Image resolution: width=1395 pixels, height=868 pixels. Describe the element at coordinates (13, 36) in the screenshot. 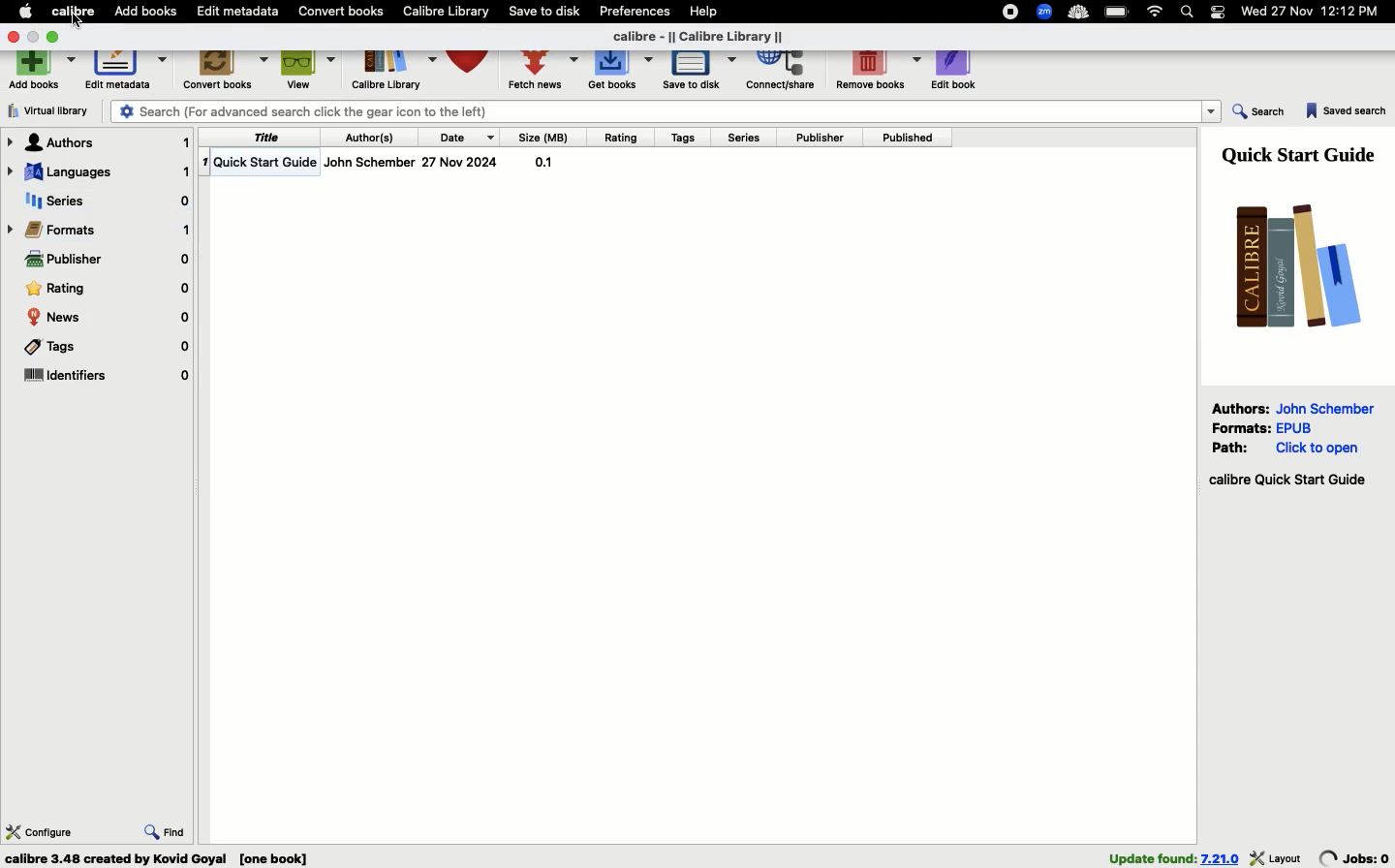

I see `Close` at that location.